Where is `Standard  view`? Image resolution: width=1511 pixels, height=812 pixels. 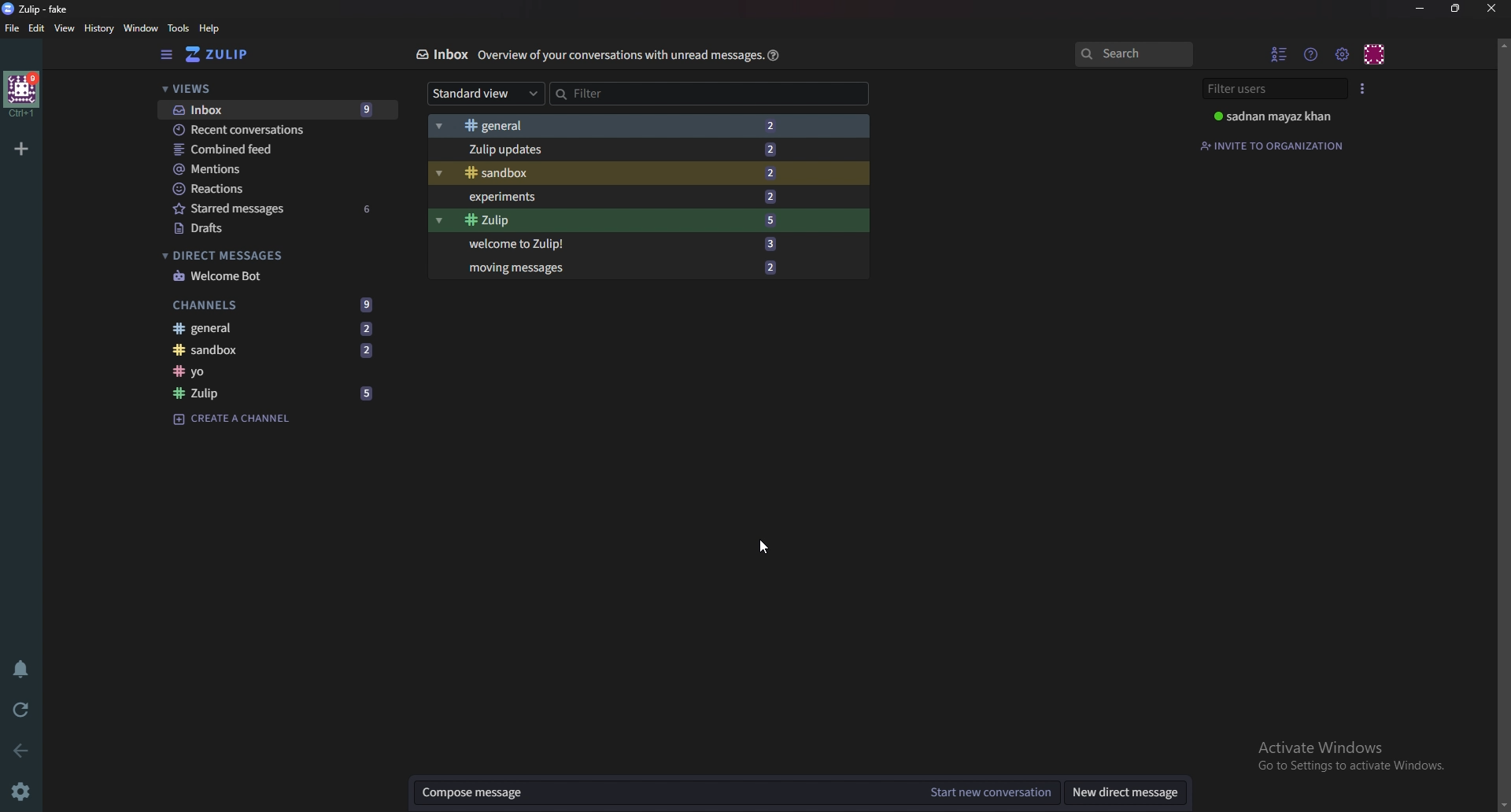 Standard  view is located at coordinates (487, 94).